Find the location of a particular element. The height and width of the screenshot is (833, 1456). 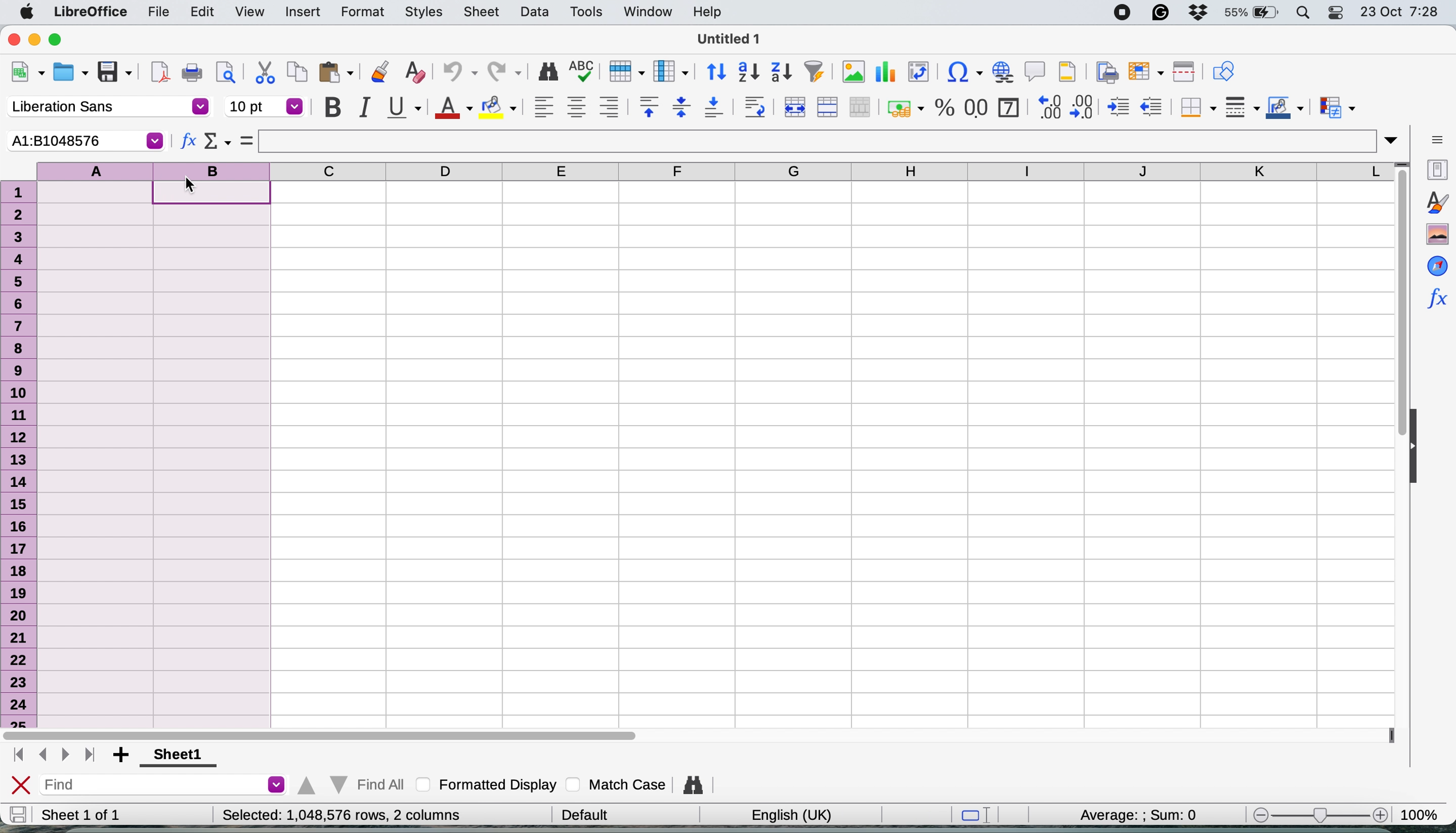

font is located at coordinates (104, 106).